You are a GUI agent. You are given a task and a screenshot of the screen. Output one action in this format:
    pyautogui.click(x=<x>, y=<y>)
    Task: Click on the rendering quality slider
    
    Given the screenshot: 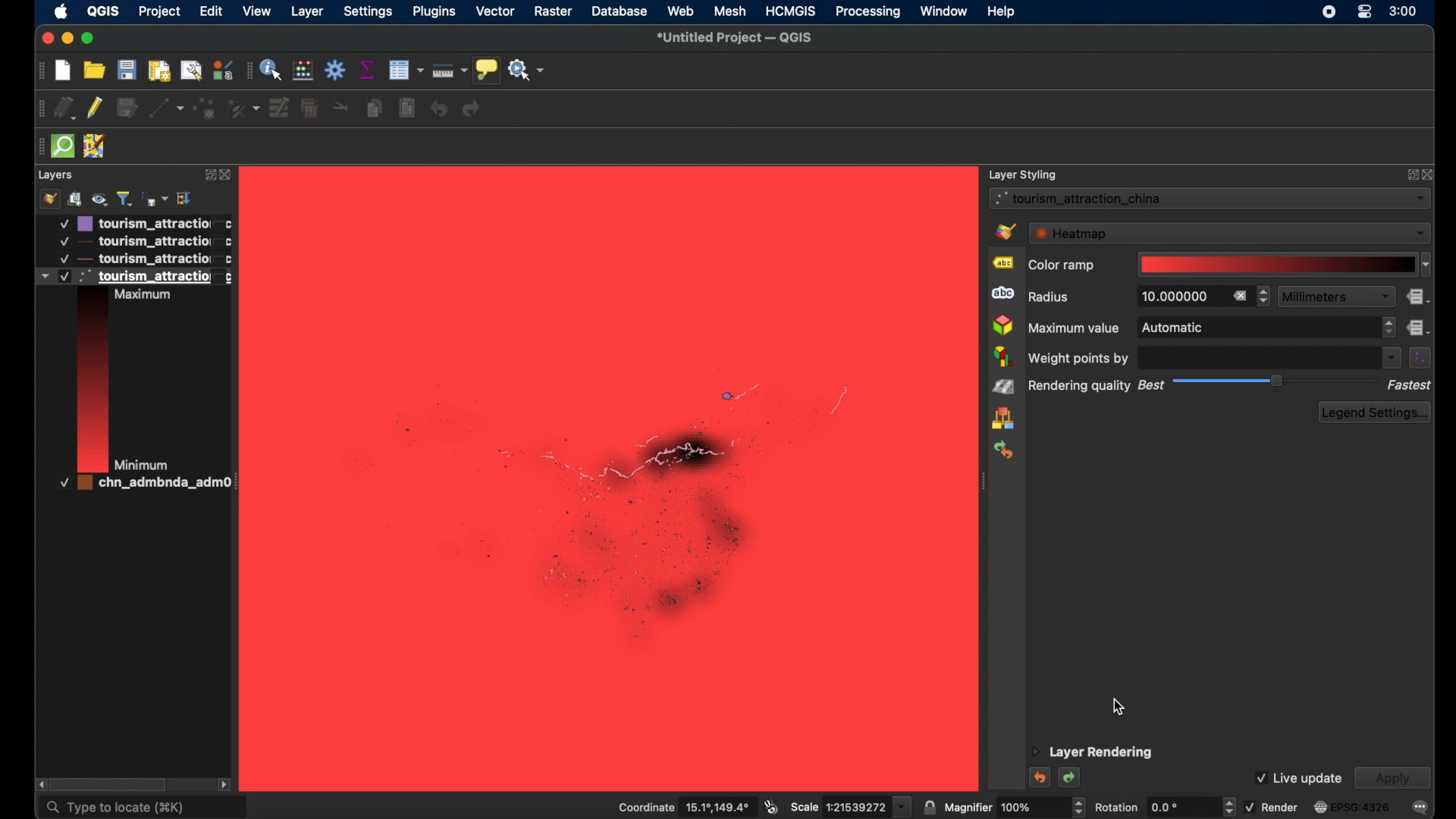 What is the action you would take?
    pyautogui.click(x=1278, y=381)
    